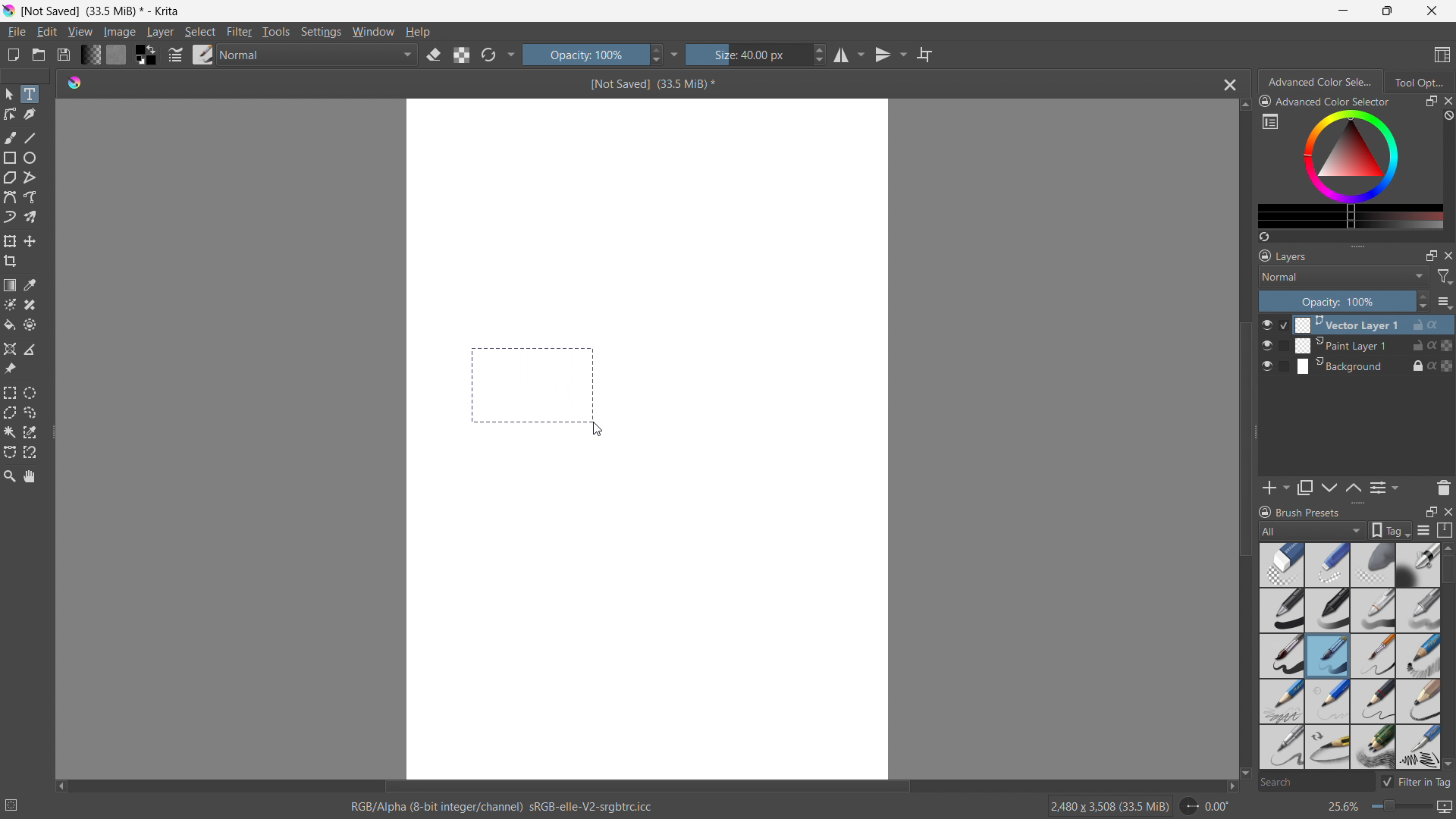 Image resolution: width=1456 pixels, height=819 pixels. I want to click on edit shapes tool, so click(11, 114).